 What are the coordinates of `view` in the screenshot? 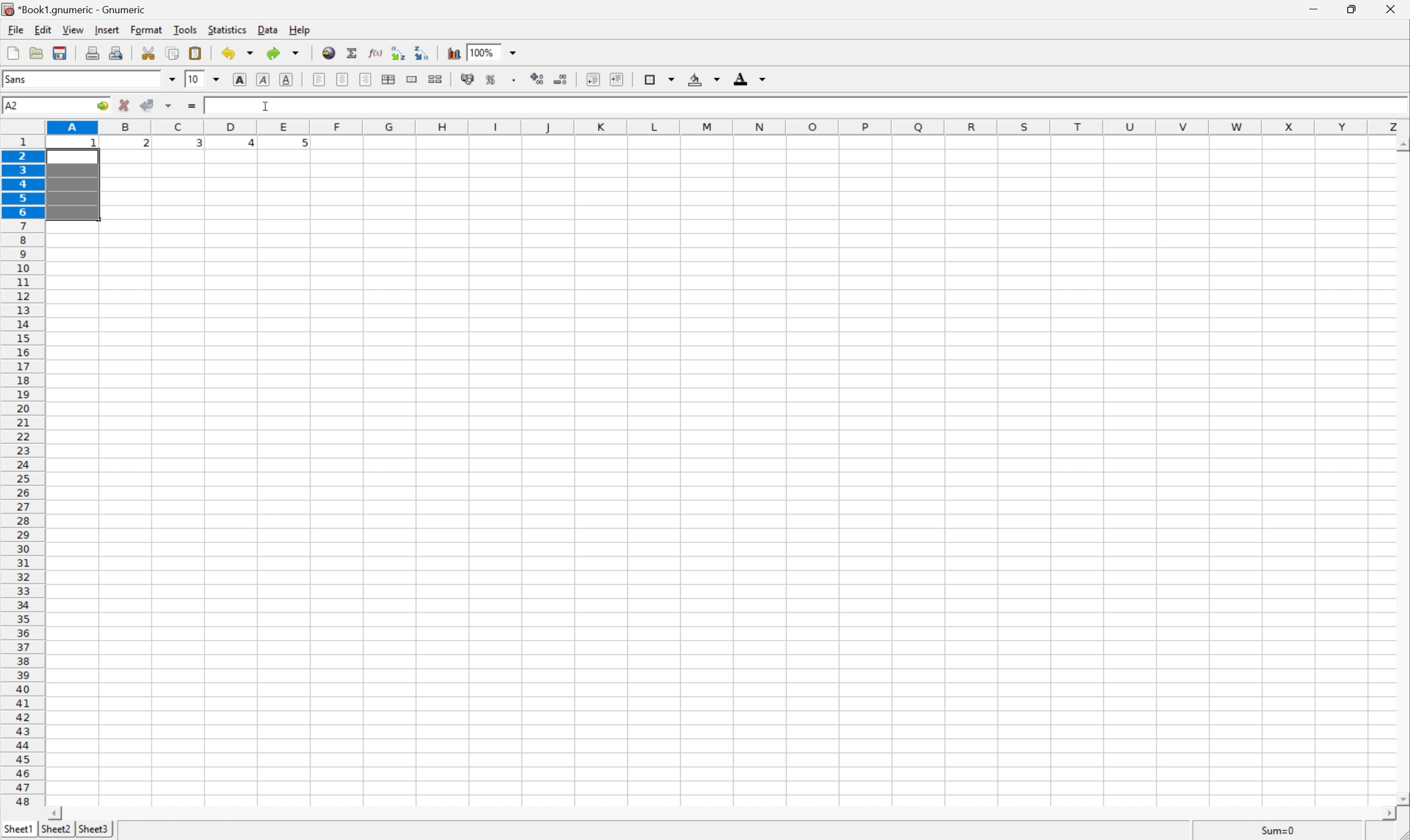 It's located at (72, 29).